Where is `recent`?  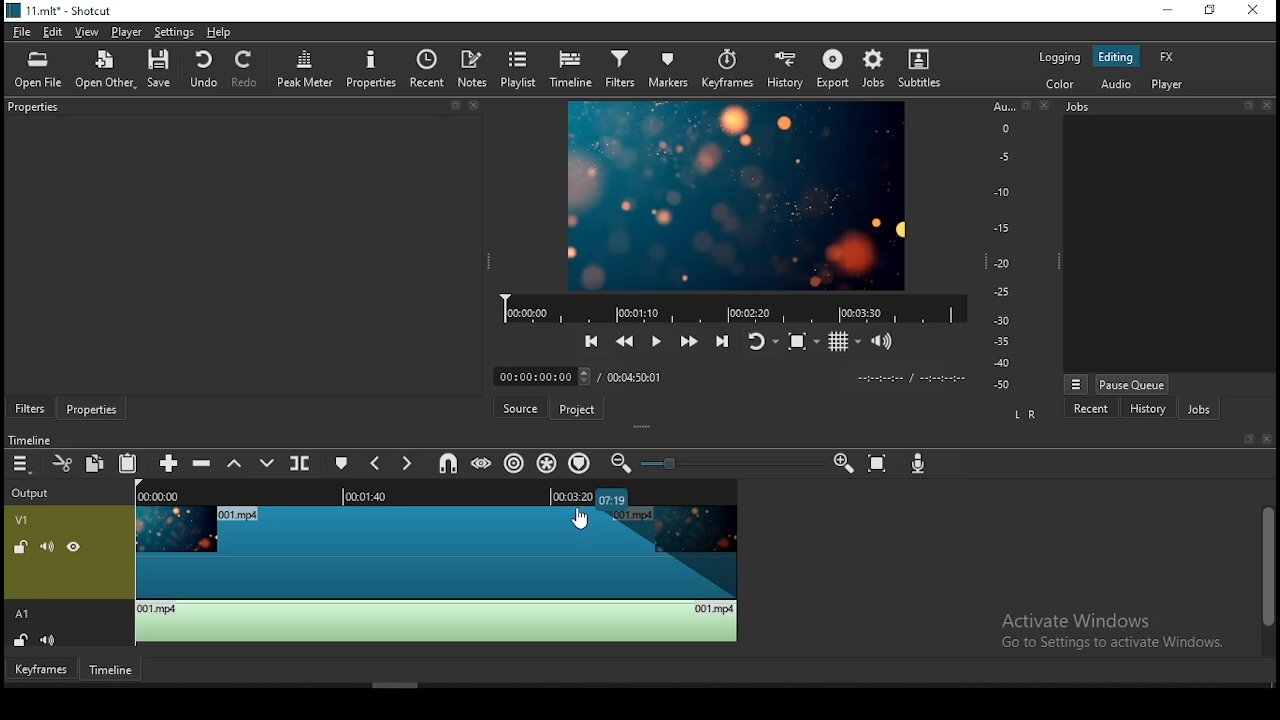 recent is located at coordinates (429, 70).